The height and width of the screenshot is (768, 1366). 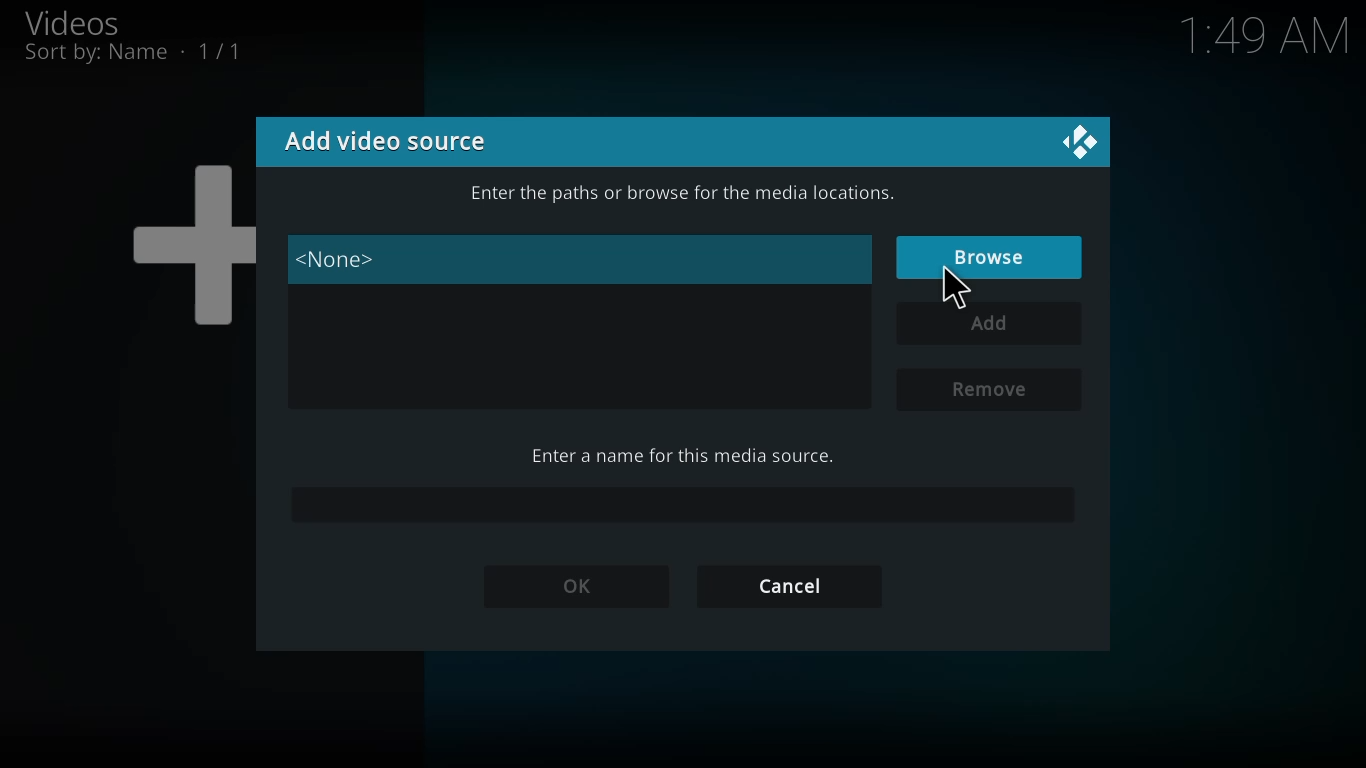 I want to click on sort by name, so click(x=133, y=56).